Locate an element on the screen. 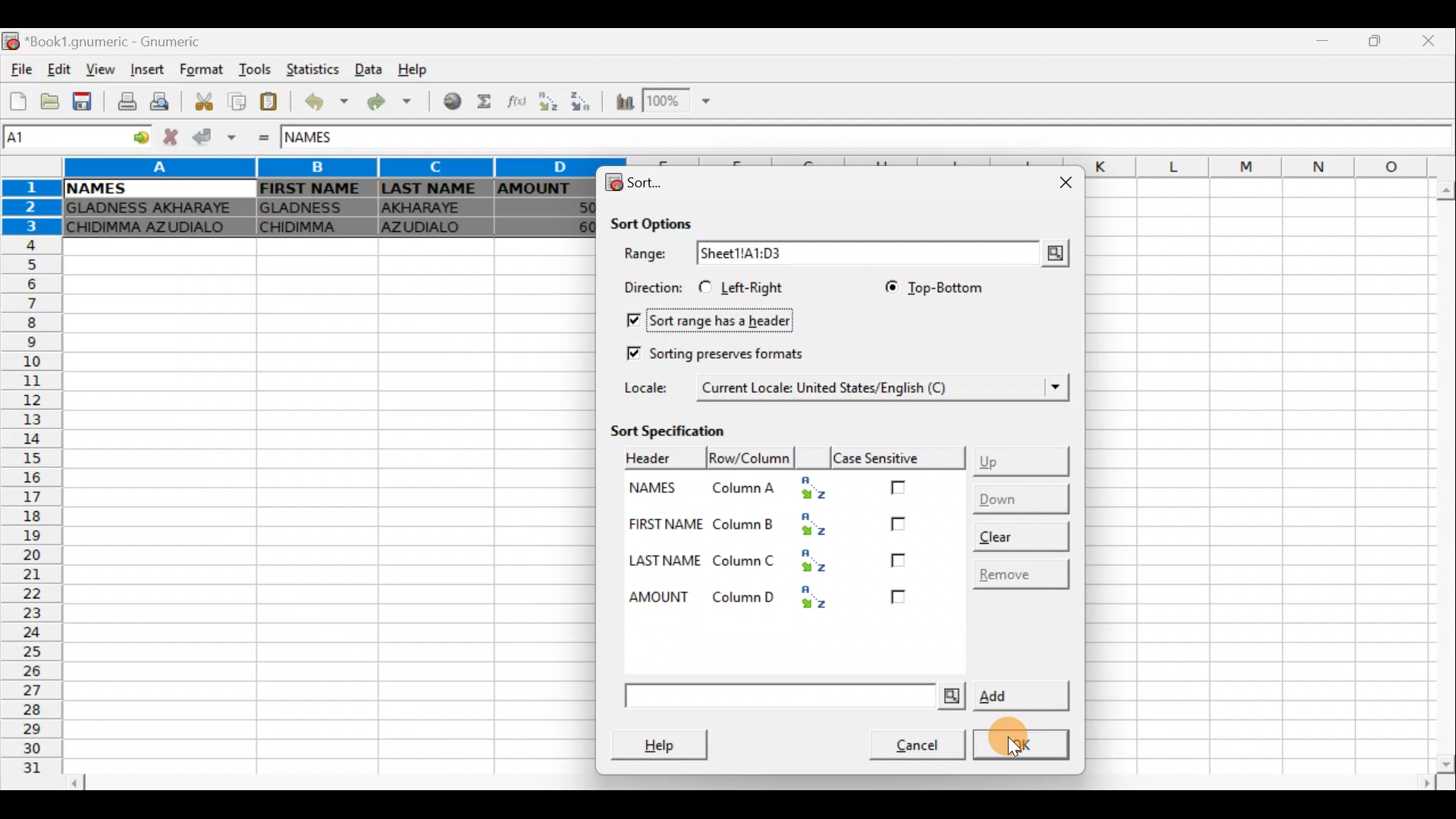 The image size is (1456, 819). Statistics is located at coordinates (314, 71).